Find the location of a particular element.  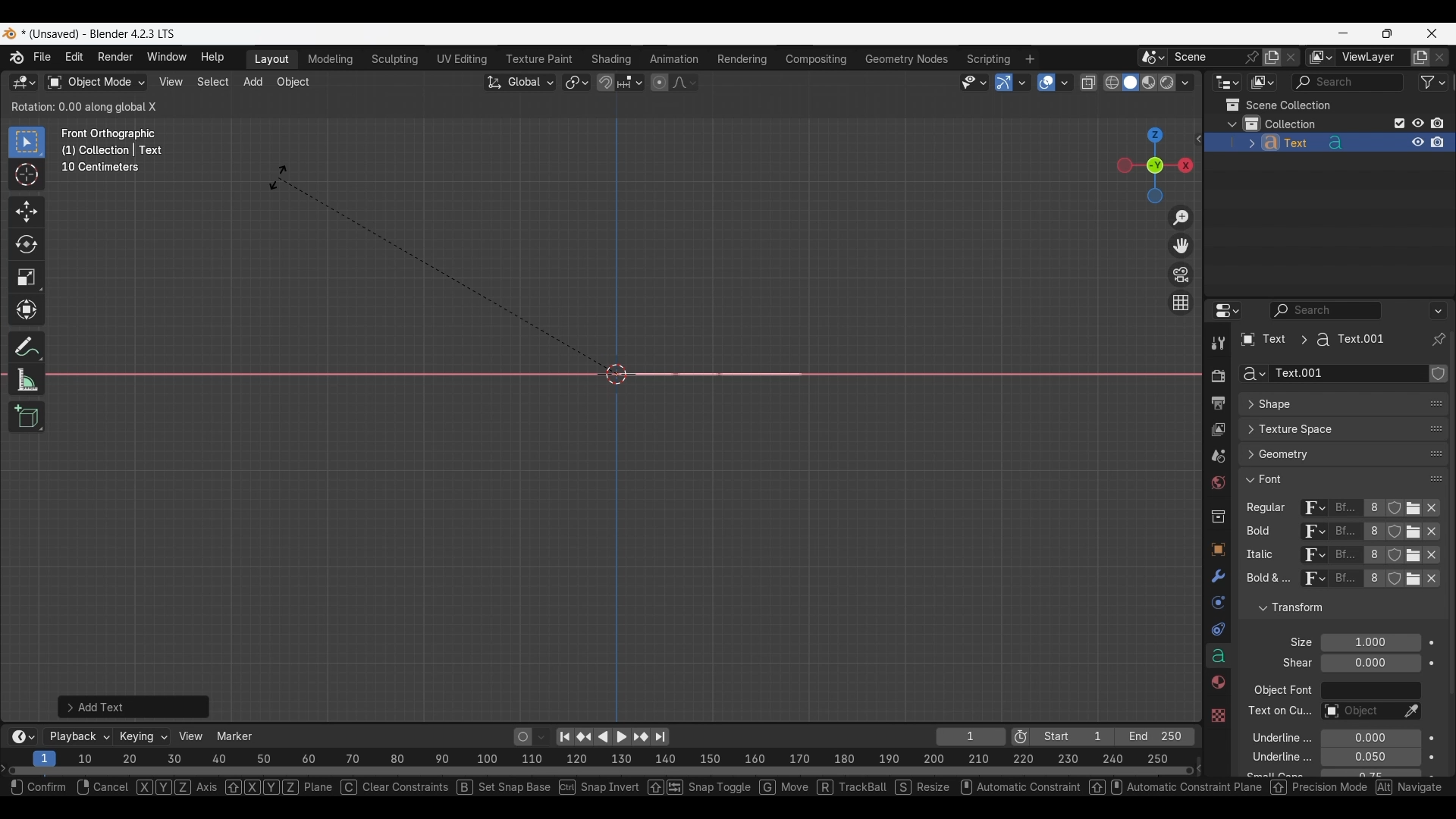

object font is located at coordinates (1282, 692).